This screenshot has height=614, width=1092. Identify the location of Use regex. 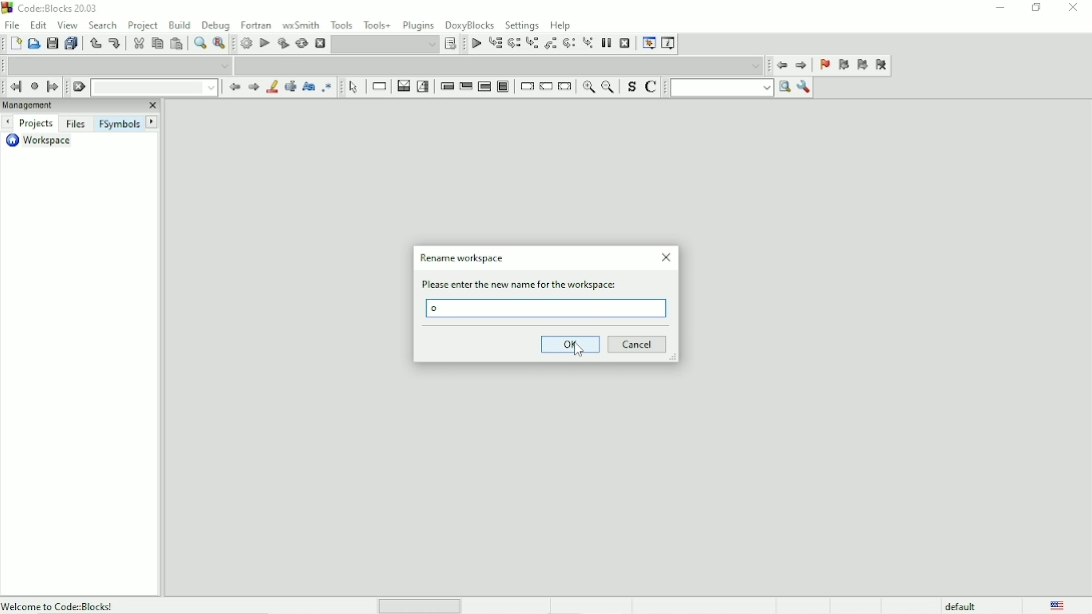
(326, 87).